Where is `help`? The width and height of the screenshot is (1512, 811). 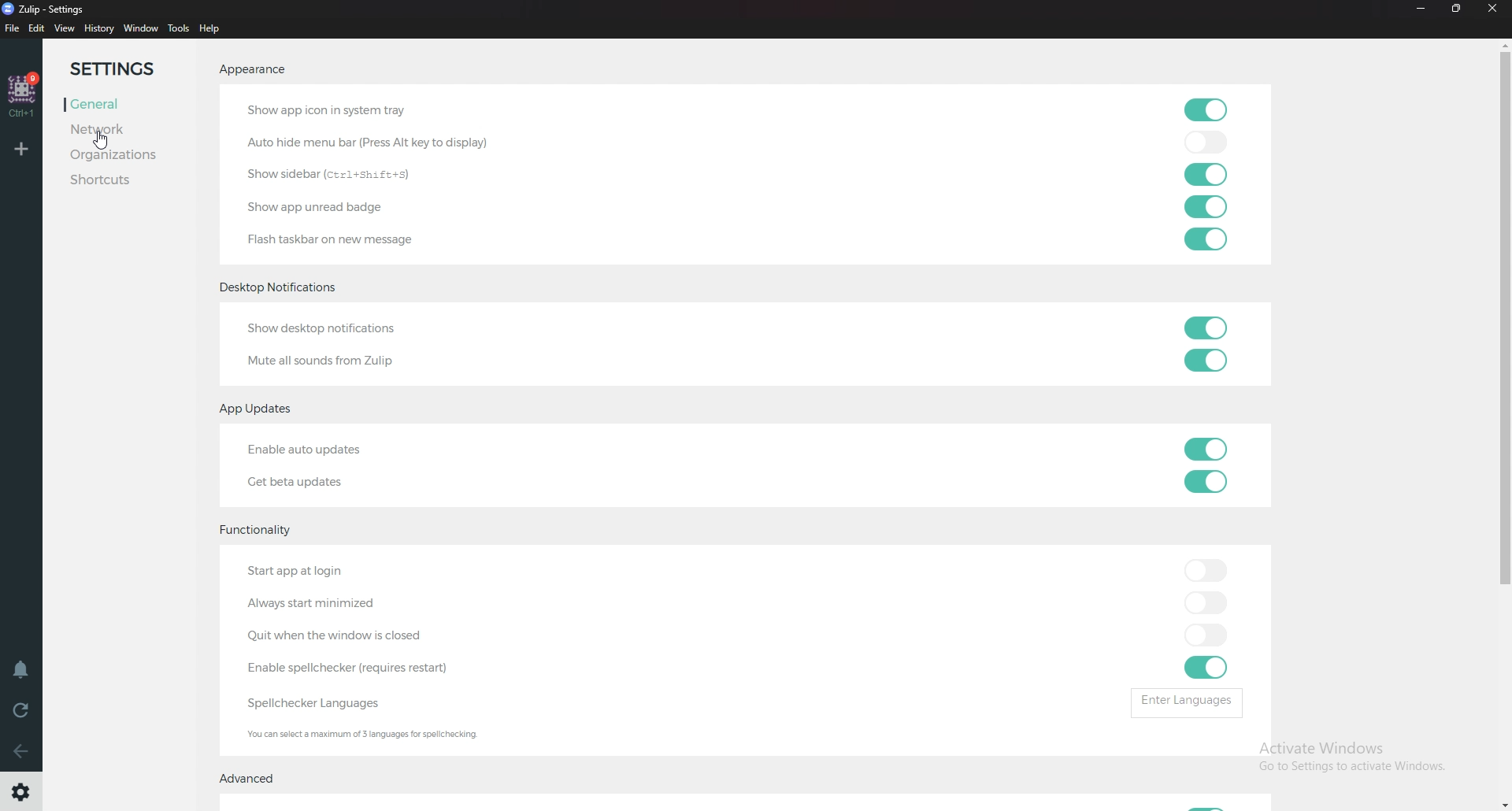
help is located at coordinates (209, 29).